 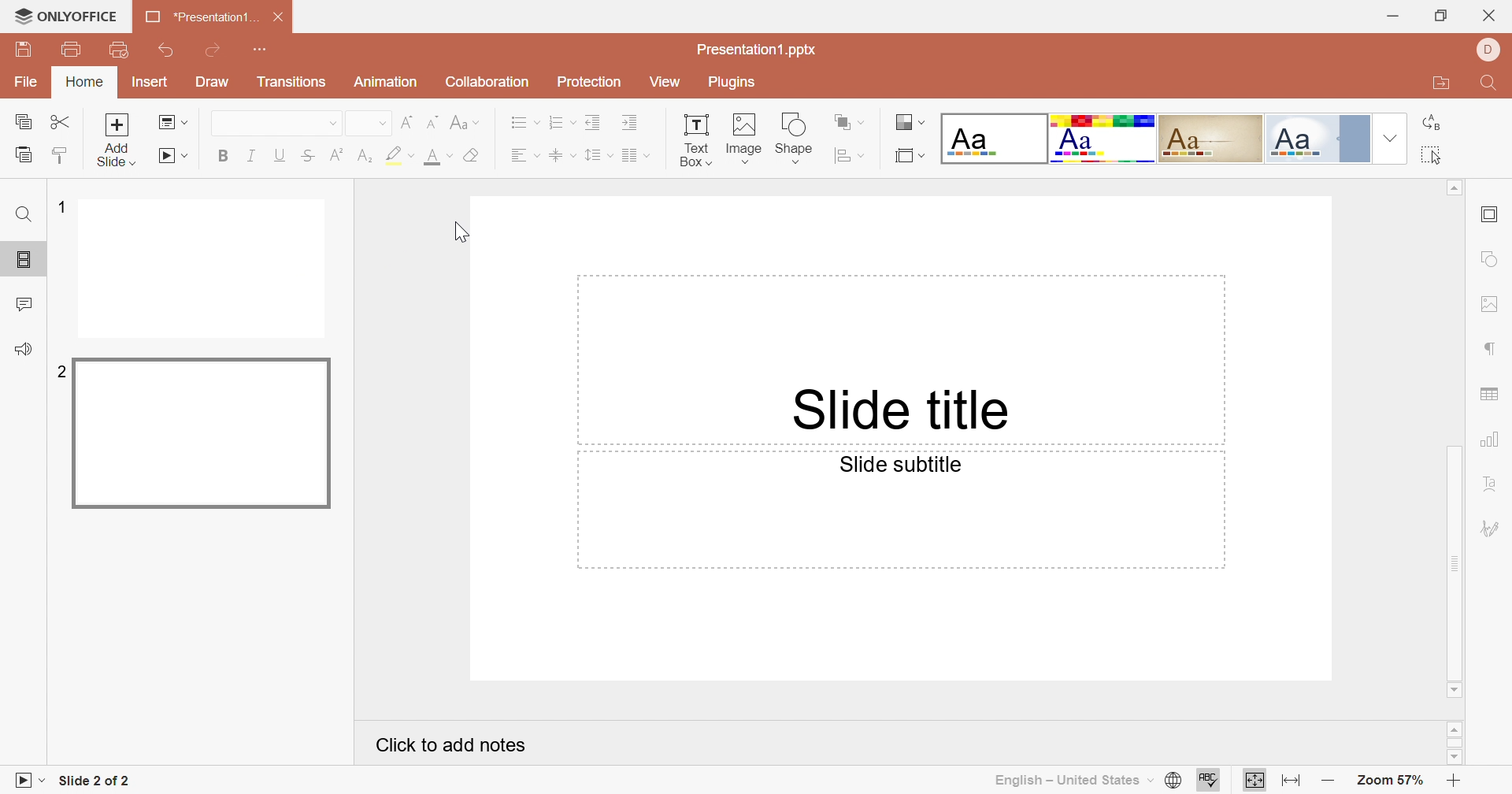 I want to click on English - United States, so click(x=1078, y=781).